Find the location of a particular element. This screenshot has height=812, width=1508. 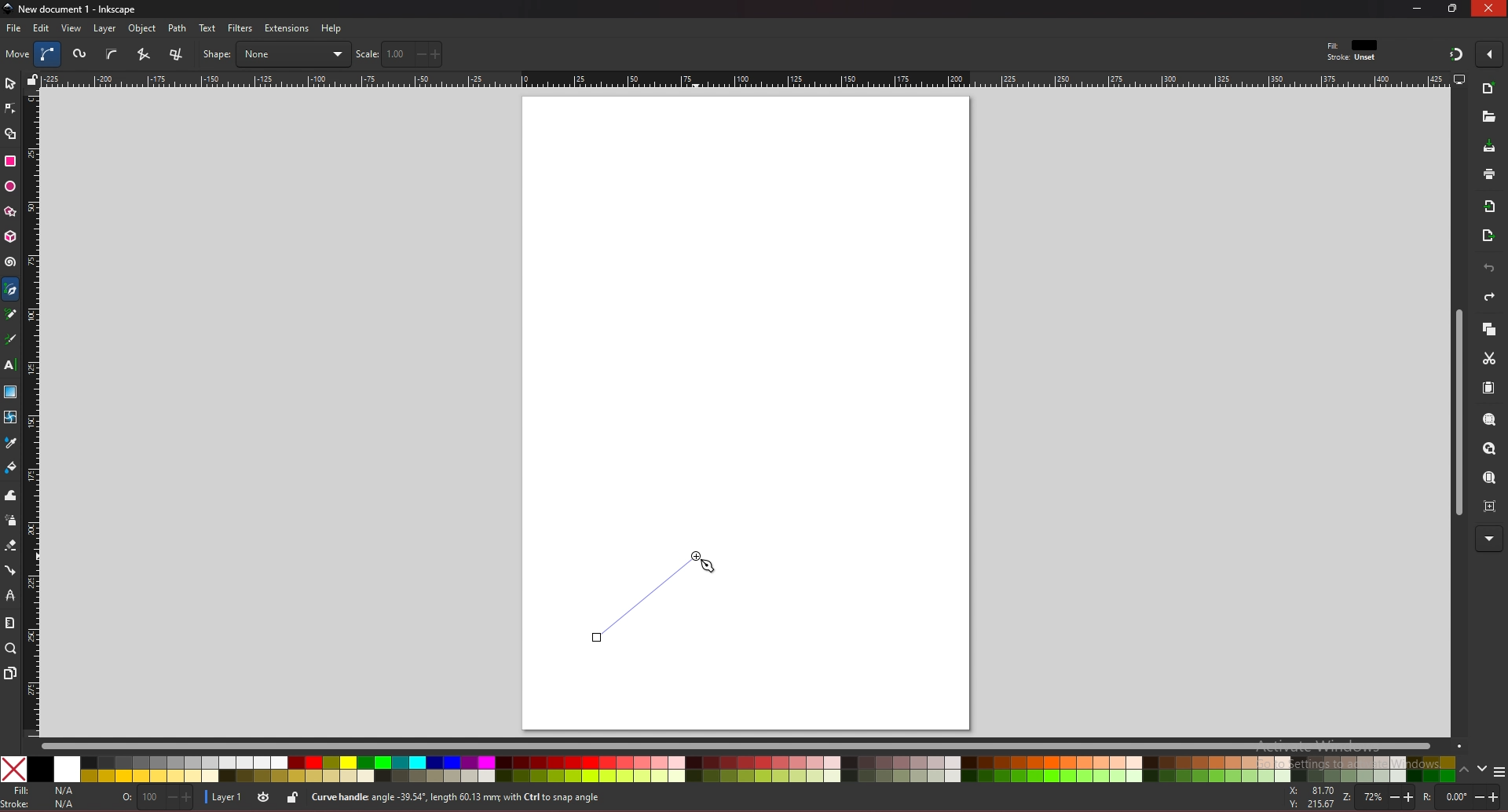

line is located at coordinates (641, 598).